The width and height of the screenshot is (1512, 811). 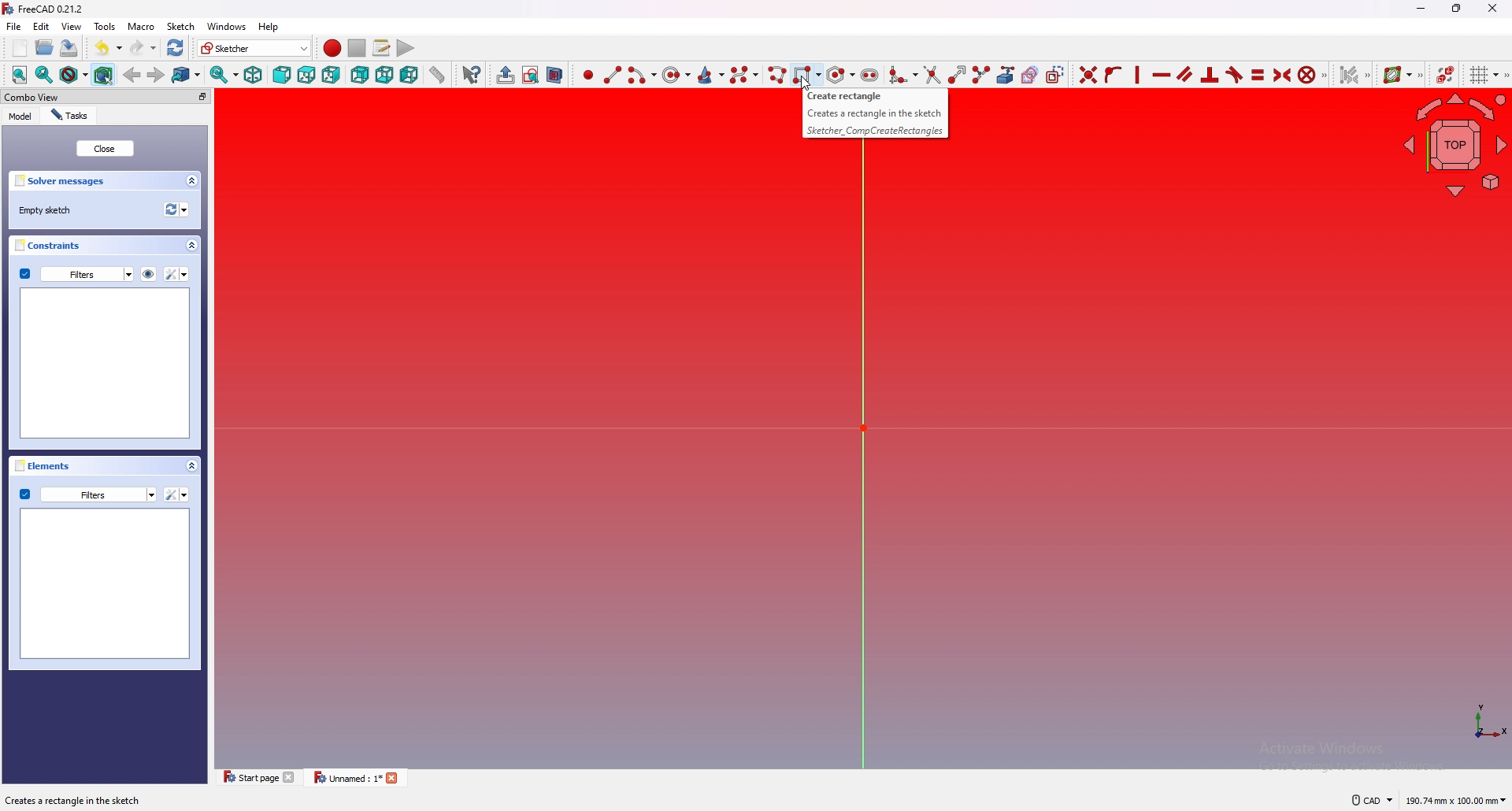 What do you see at coordinates (643, 75) in the screenshot?
I see `create arc` at bounding box center [643, 75].